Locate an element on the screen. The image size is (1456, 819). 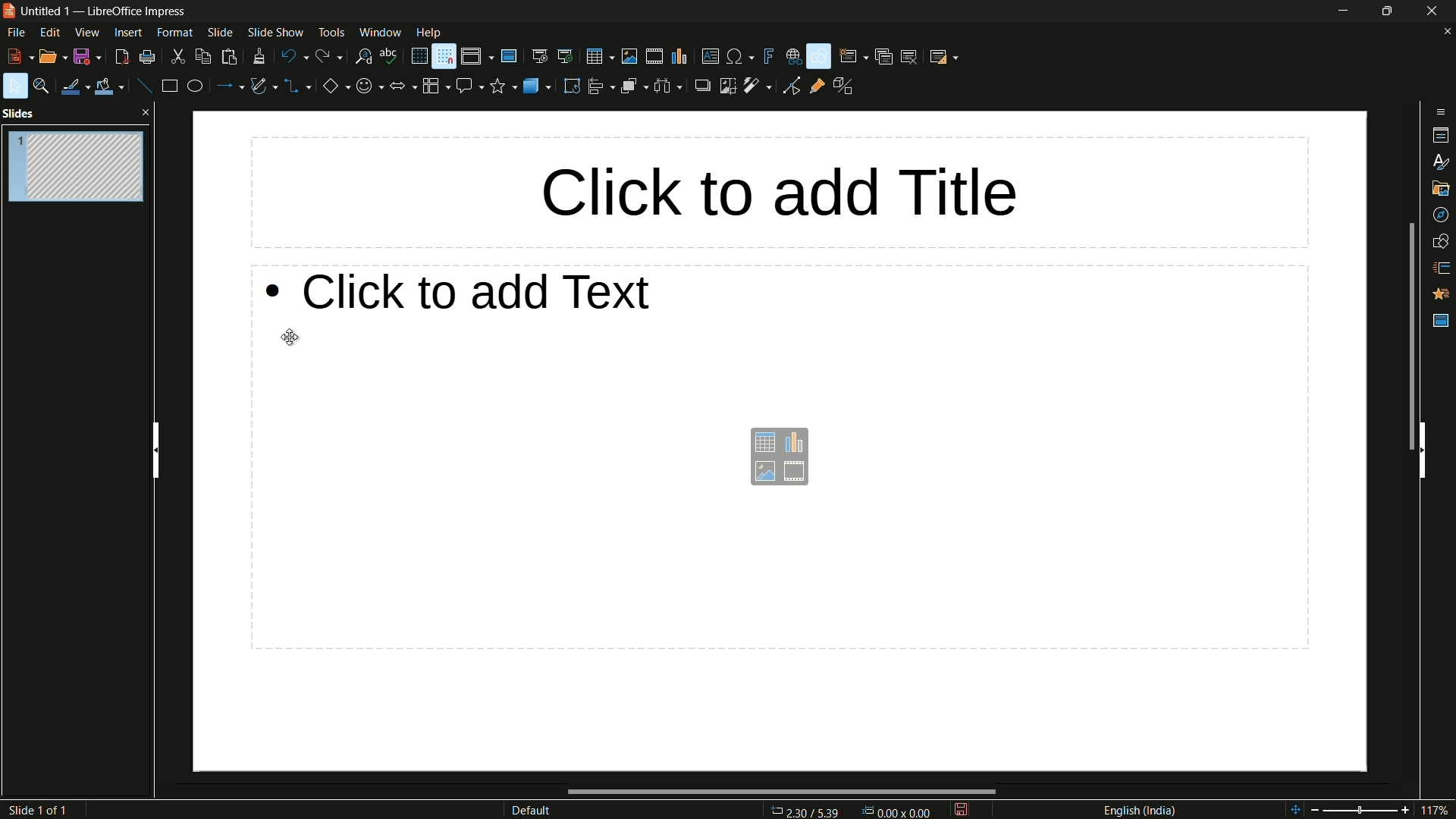
delete slide is located at coordinates (908, 55).